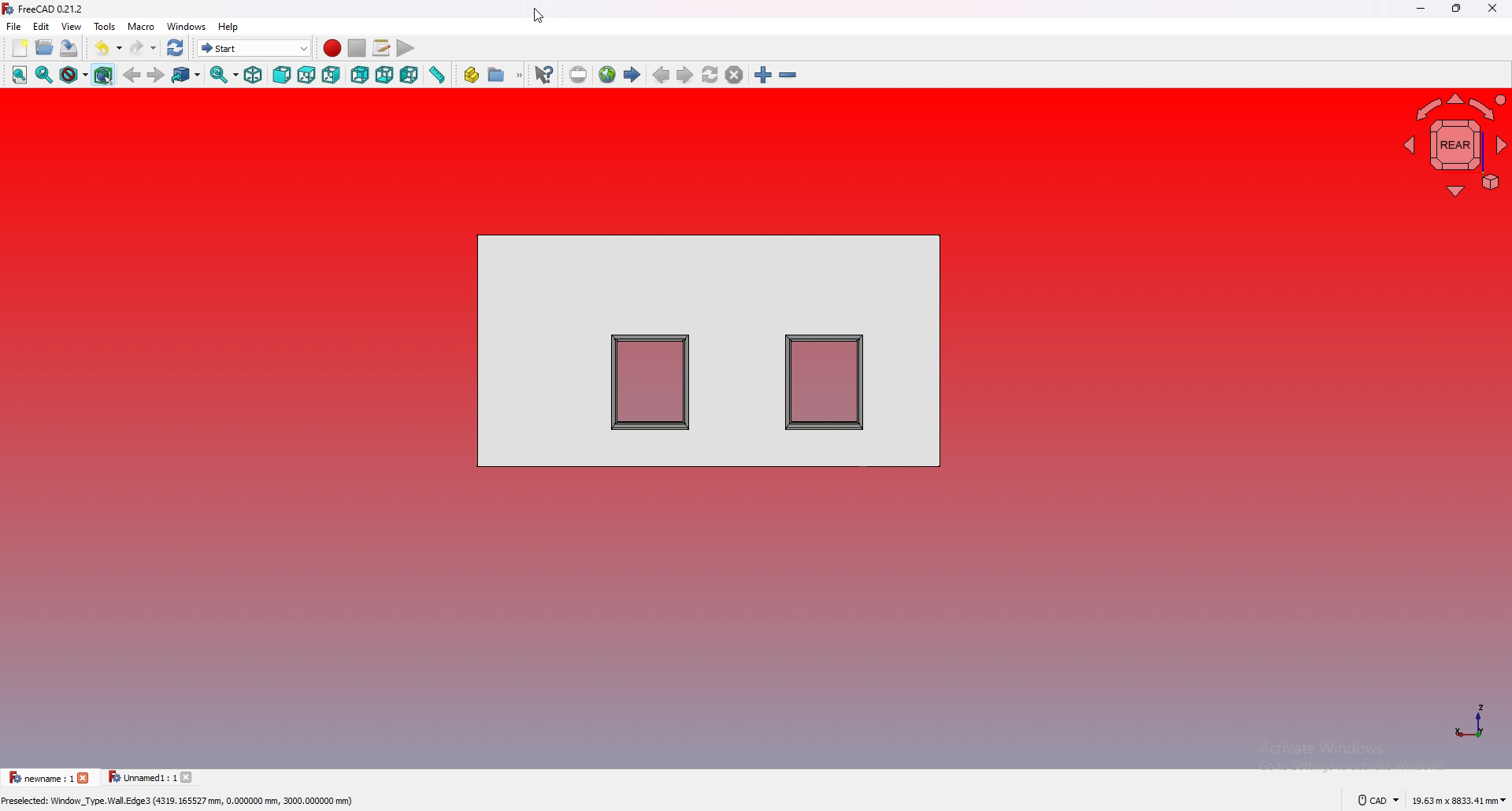  What do you see at coordinates (283, 75) in the screenshot?
I see `front` at bounding box center [283, 75].